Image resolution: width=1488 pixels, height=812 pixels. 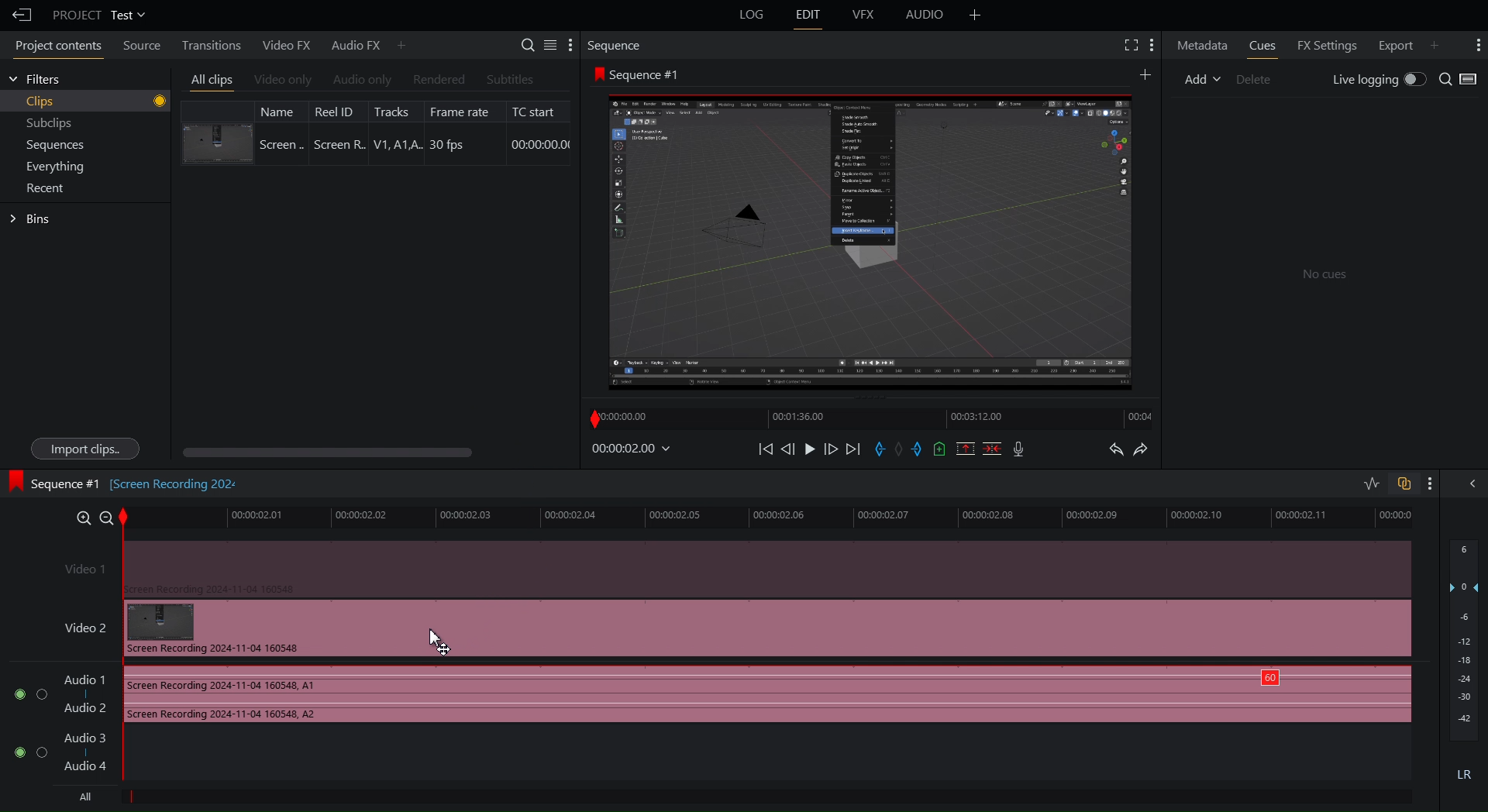 What do you see at coordinates (1476, 45) in the screenshot?
I see `More` at bounding box center [1476, 45].